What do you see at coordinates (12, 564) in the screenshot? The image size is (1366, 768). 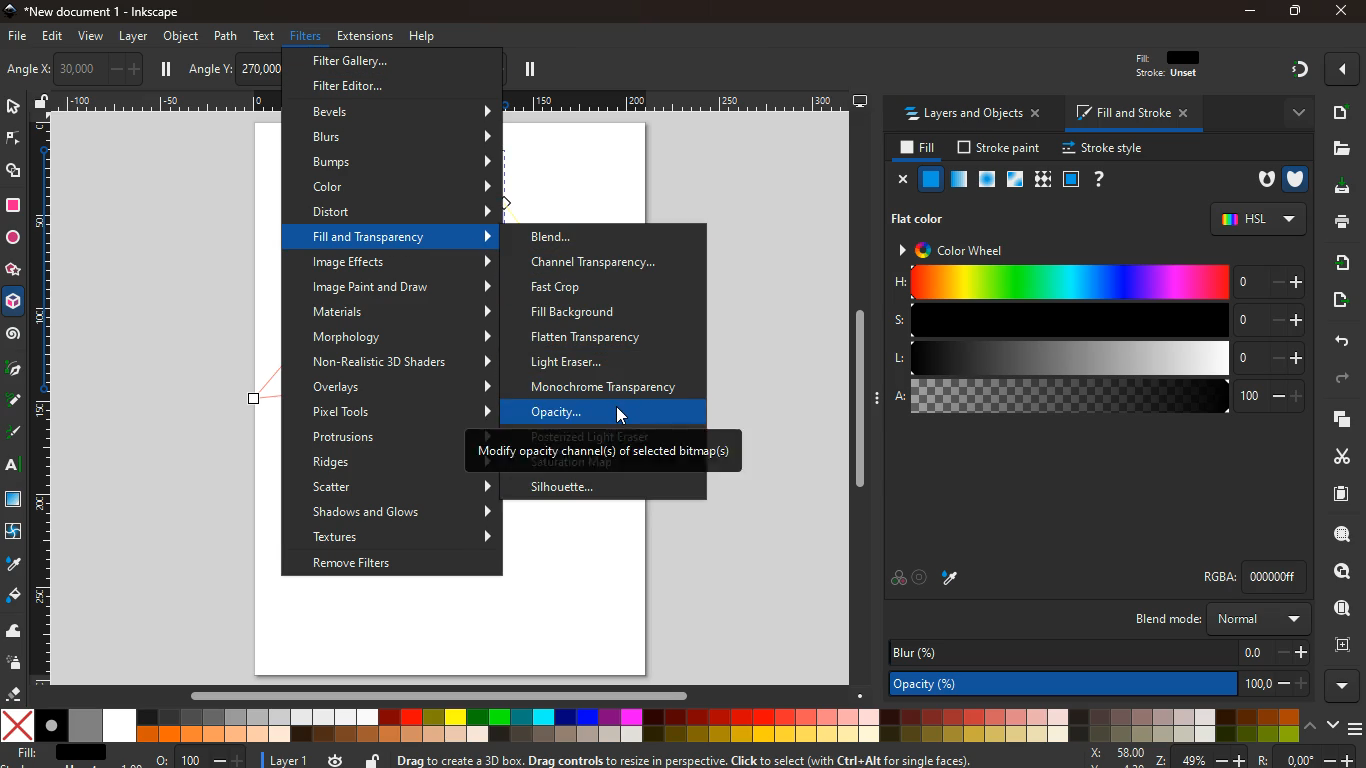 I see `drop` at bounding box center [12, 564].